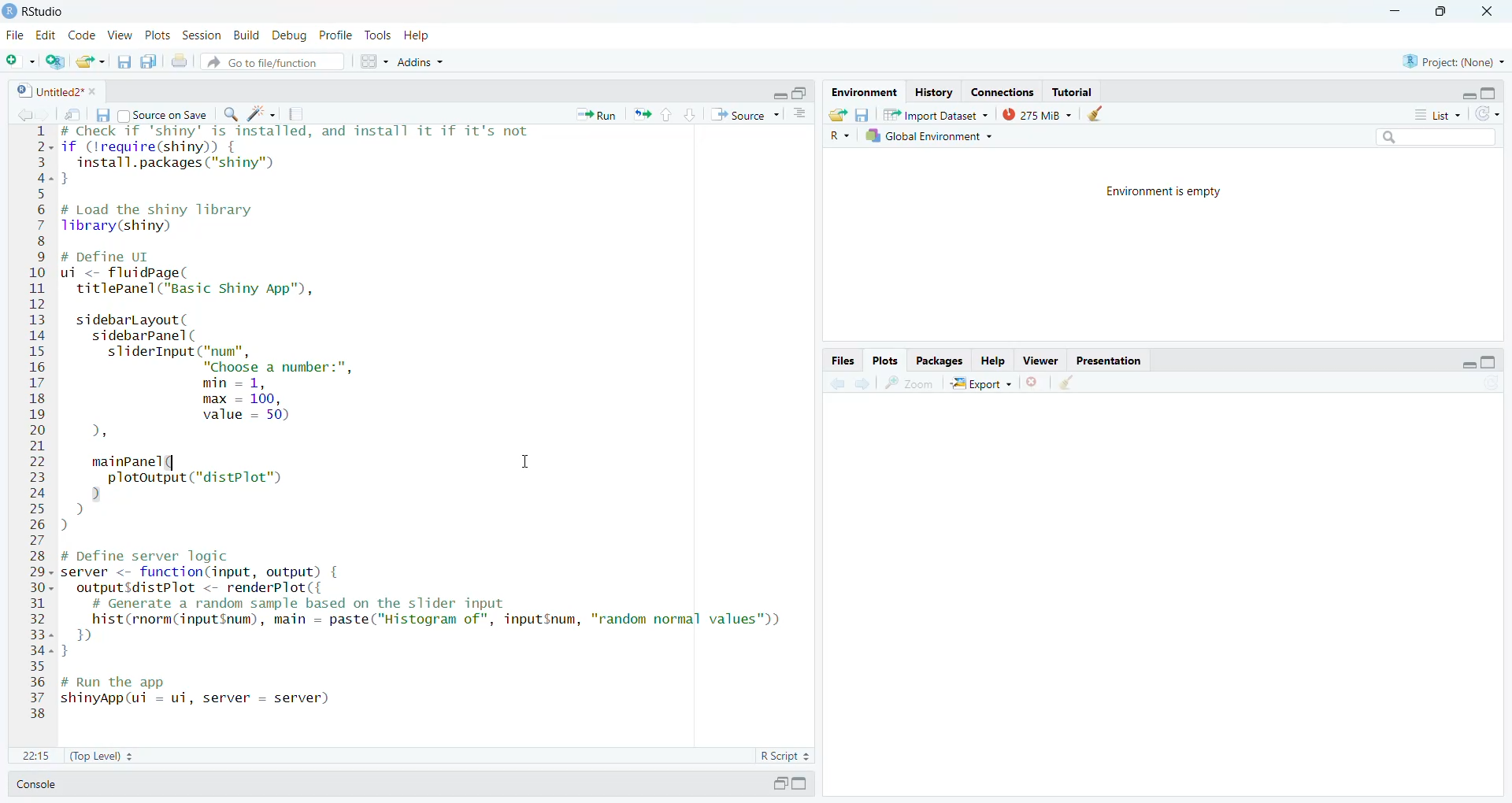 The height and width of the screenshot is (803, 1512). I want to click on line numbering, so click(39, 422).